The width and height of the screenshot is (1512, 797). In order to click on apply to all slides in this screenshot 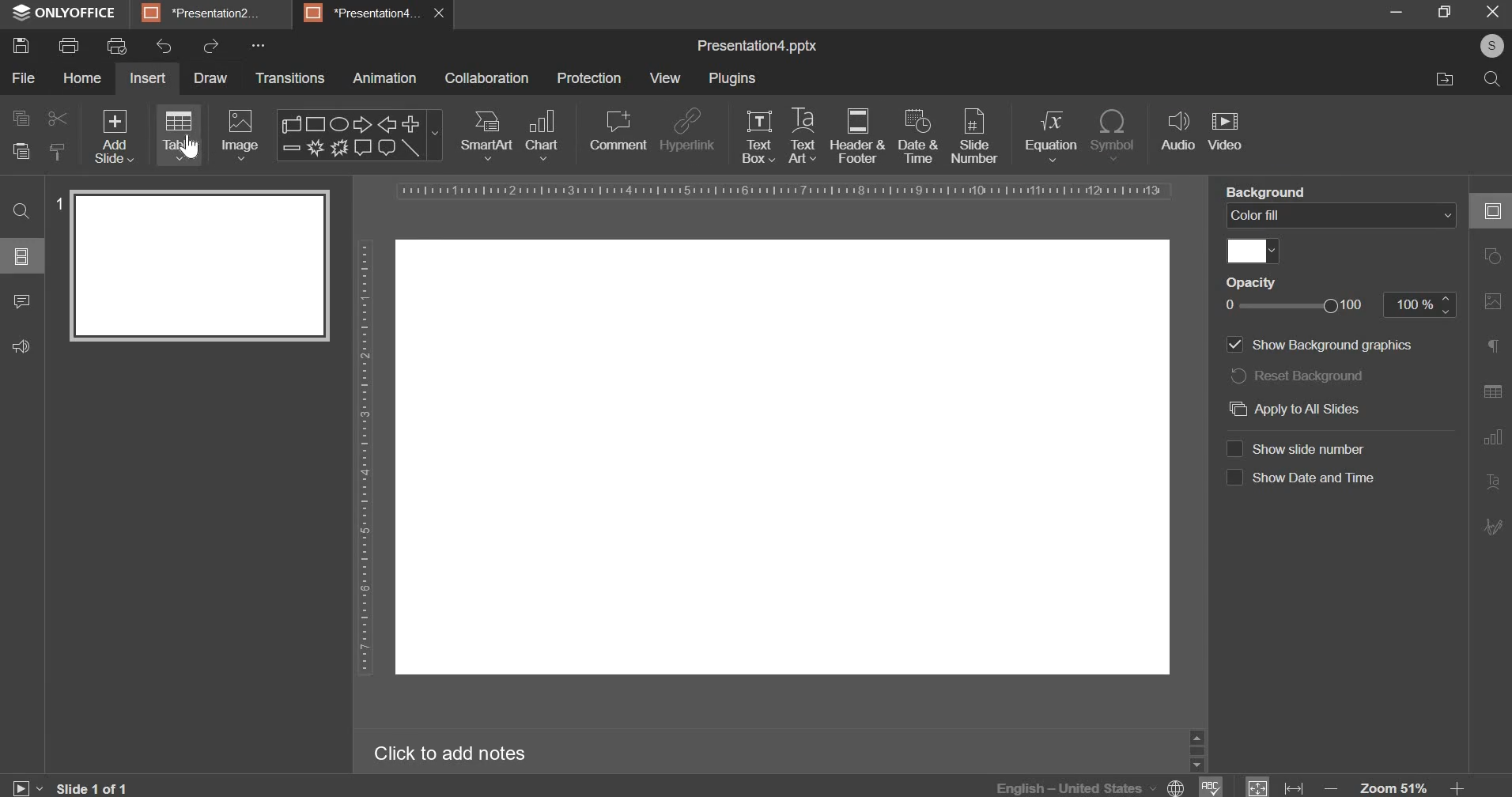, I will do `click(1297, 408)`.